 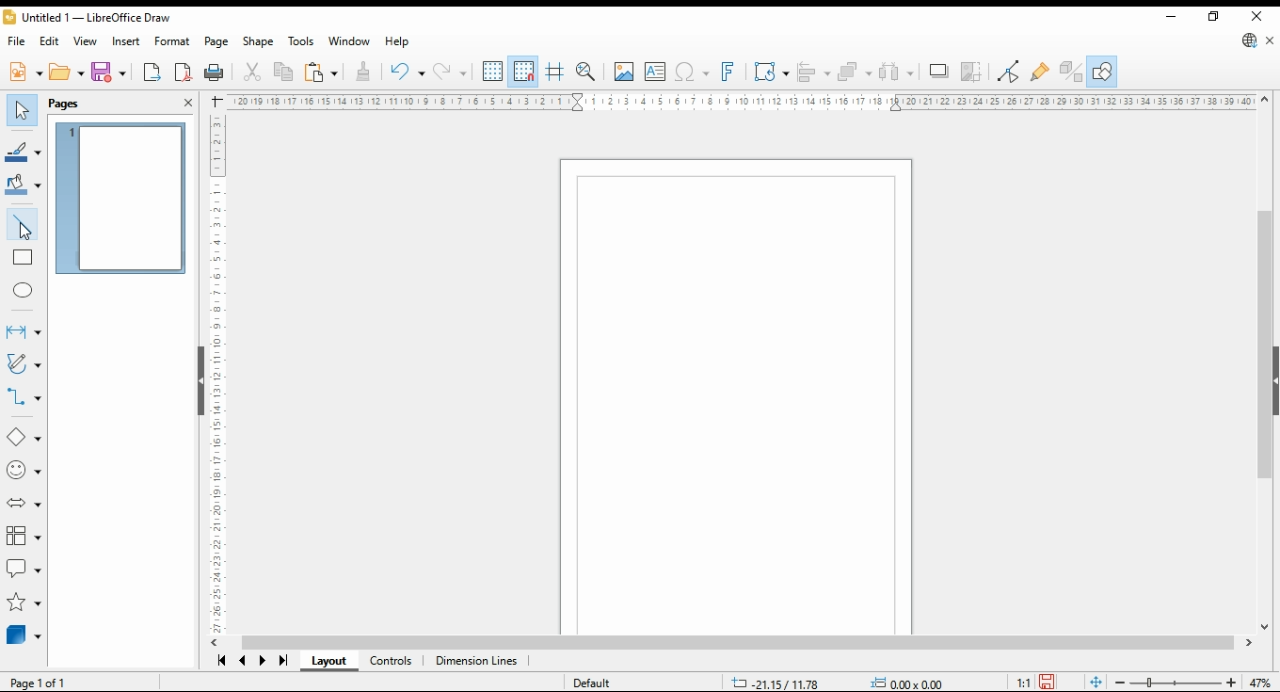 I want to click on dimensions, so click(x=477, y=663).